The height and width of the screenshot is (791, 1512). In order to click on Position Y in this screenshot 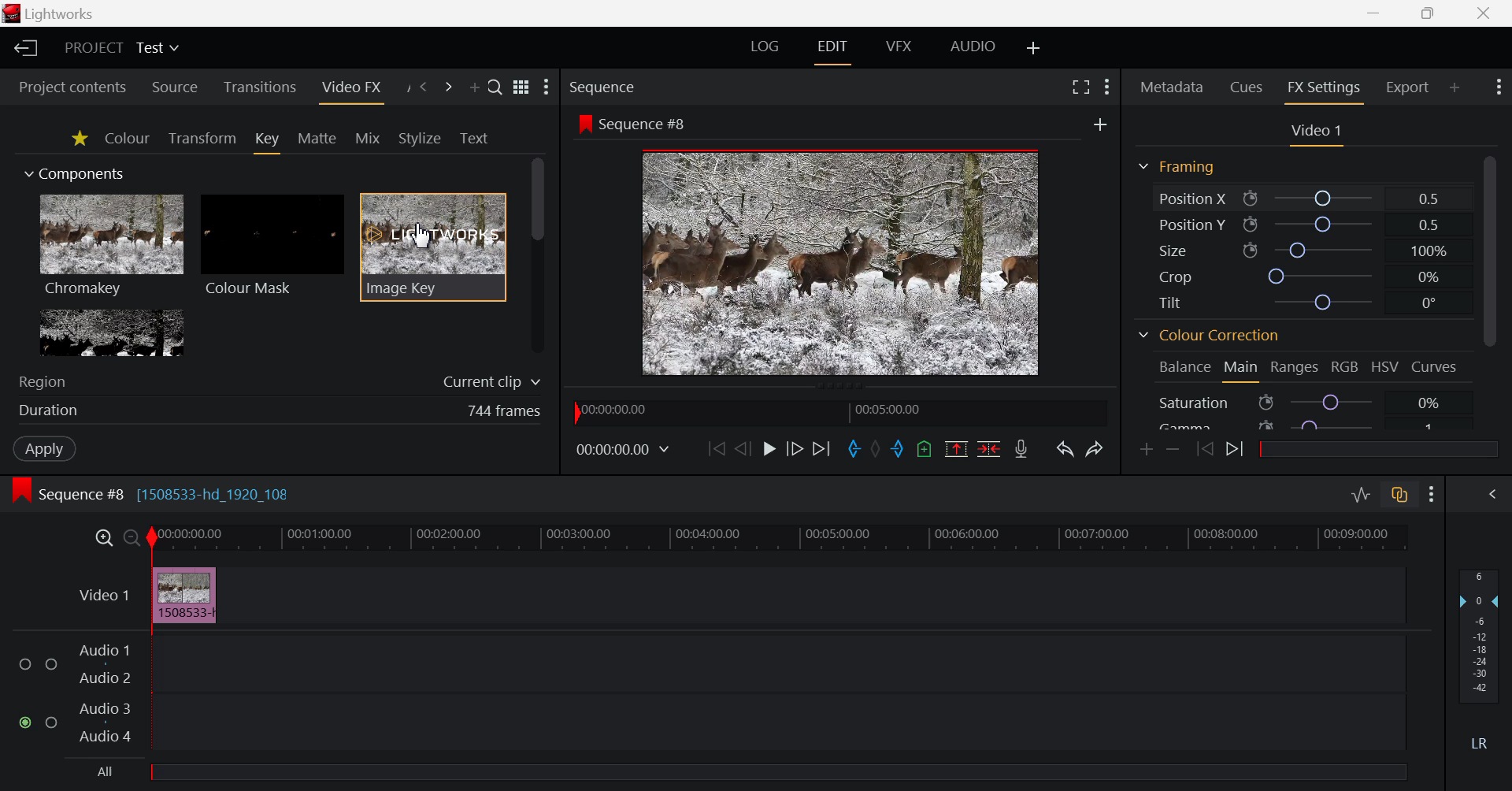, I will do `click(1189, 223)`.